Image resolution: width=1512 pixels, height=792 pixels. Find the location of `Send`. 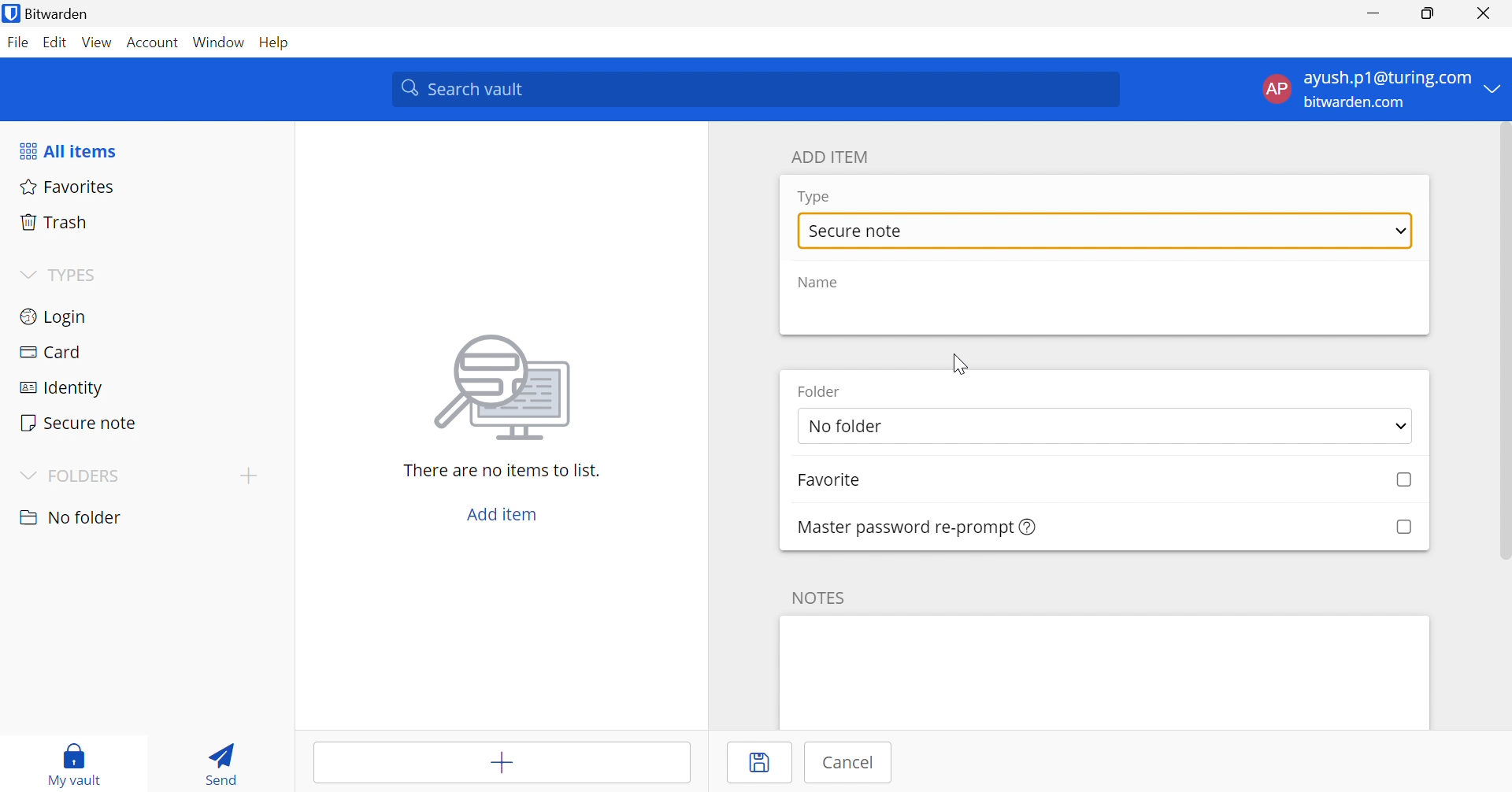

Send is located at coordinates (224, 761).